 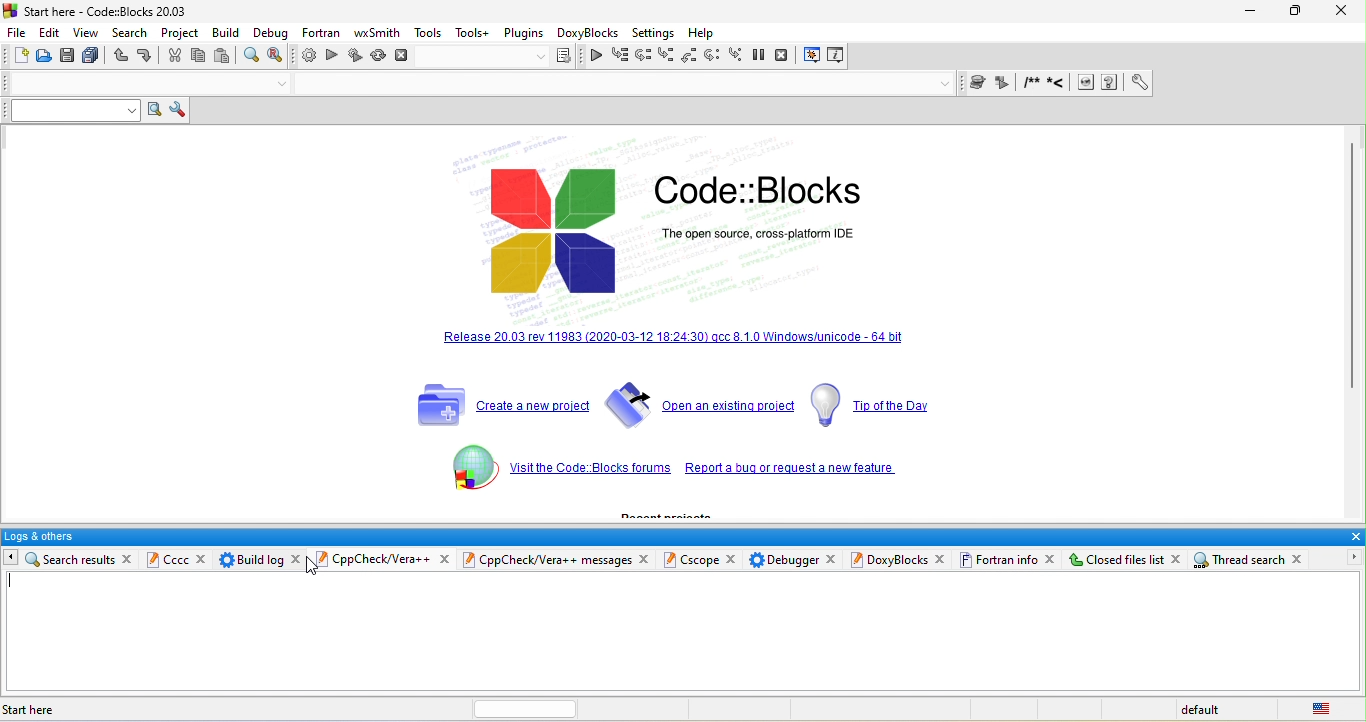 I want to click on run chm, so click(x=1113, y=83).